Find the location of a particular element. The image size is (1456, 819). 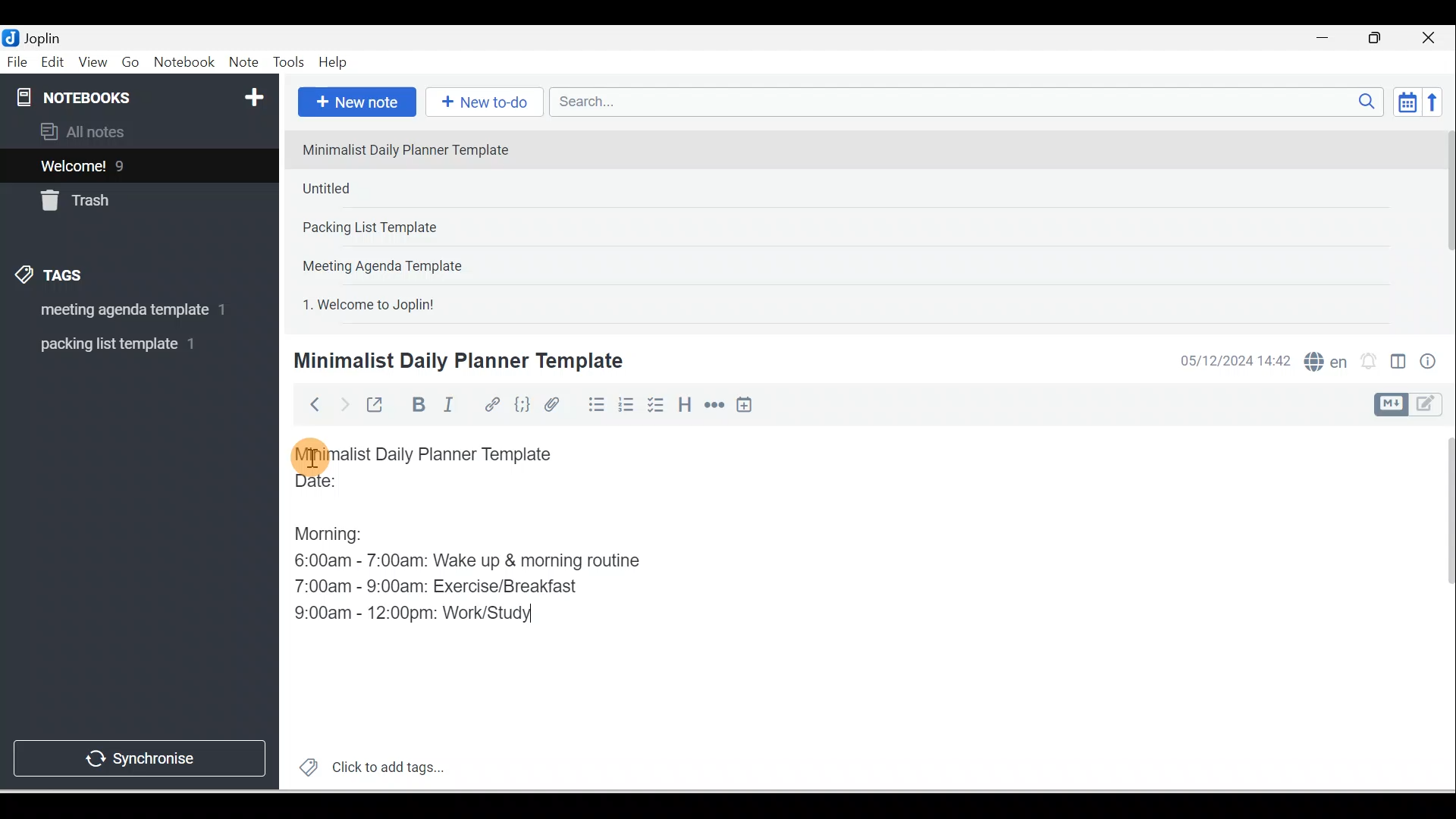

Edit is located at coordinates (54, 63).